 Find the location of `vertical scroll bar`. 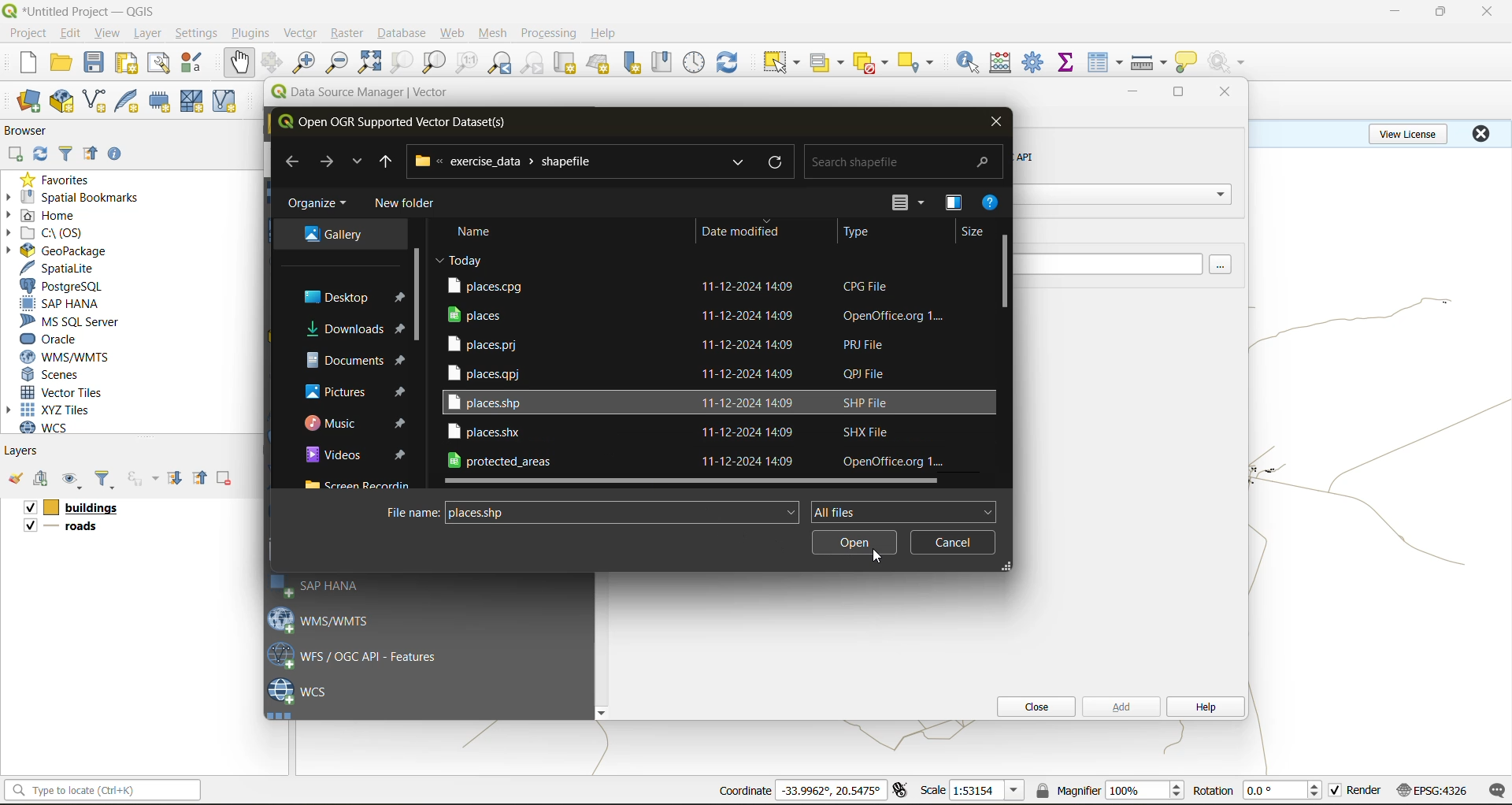

vertical scroll bar is located at coordinates (1006, 270).